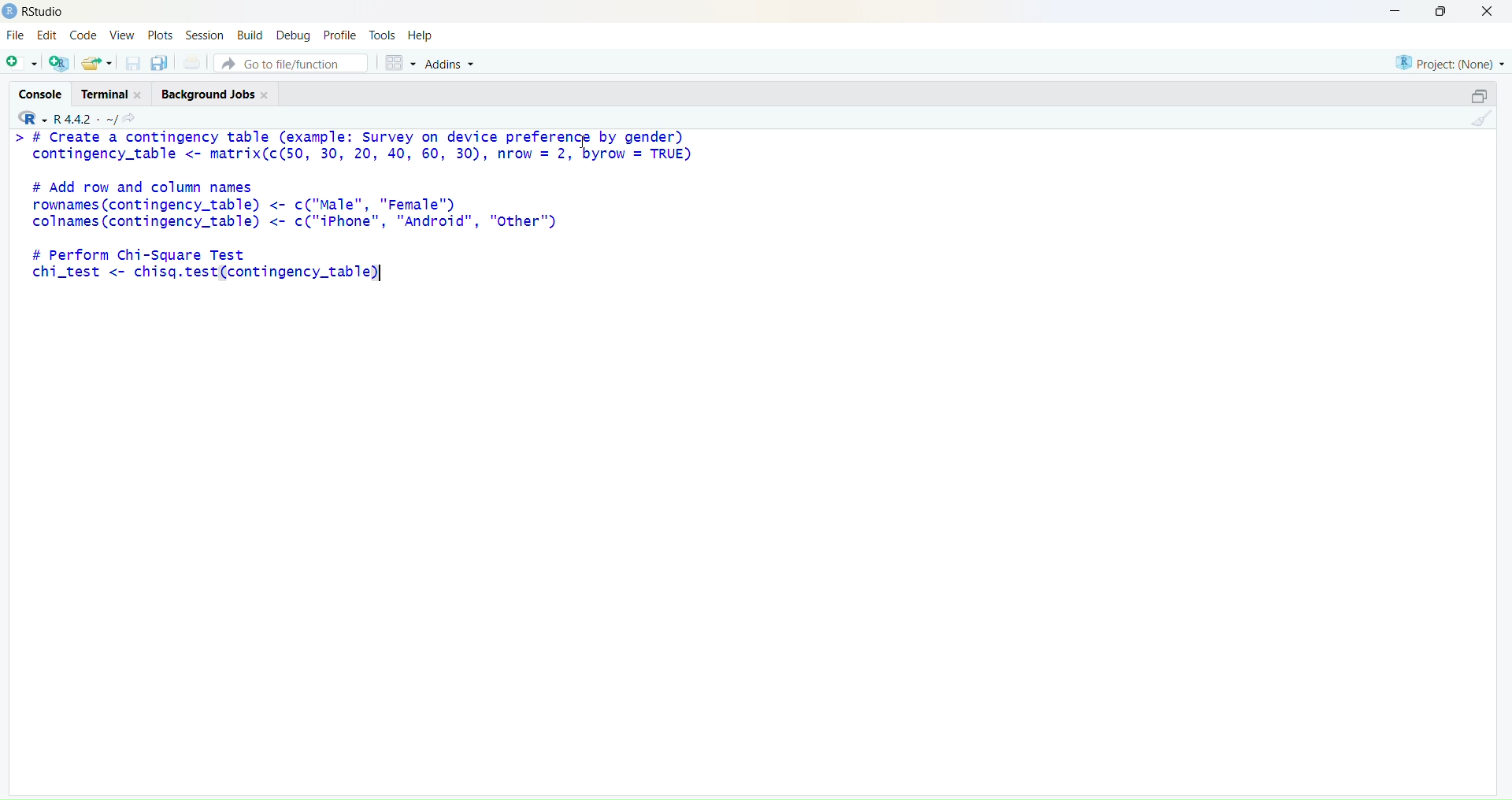 The image size is (1512, 800). What do you see at coordinates (130, 118) in the screenshot?
I see `share icon` at bounding box center [130, 118].